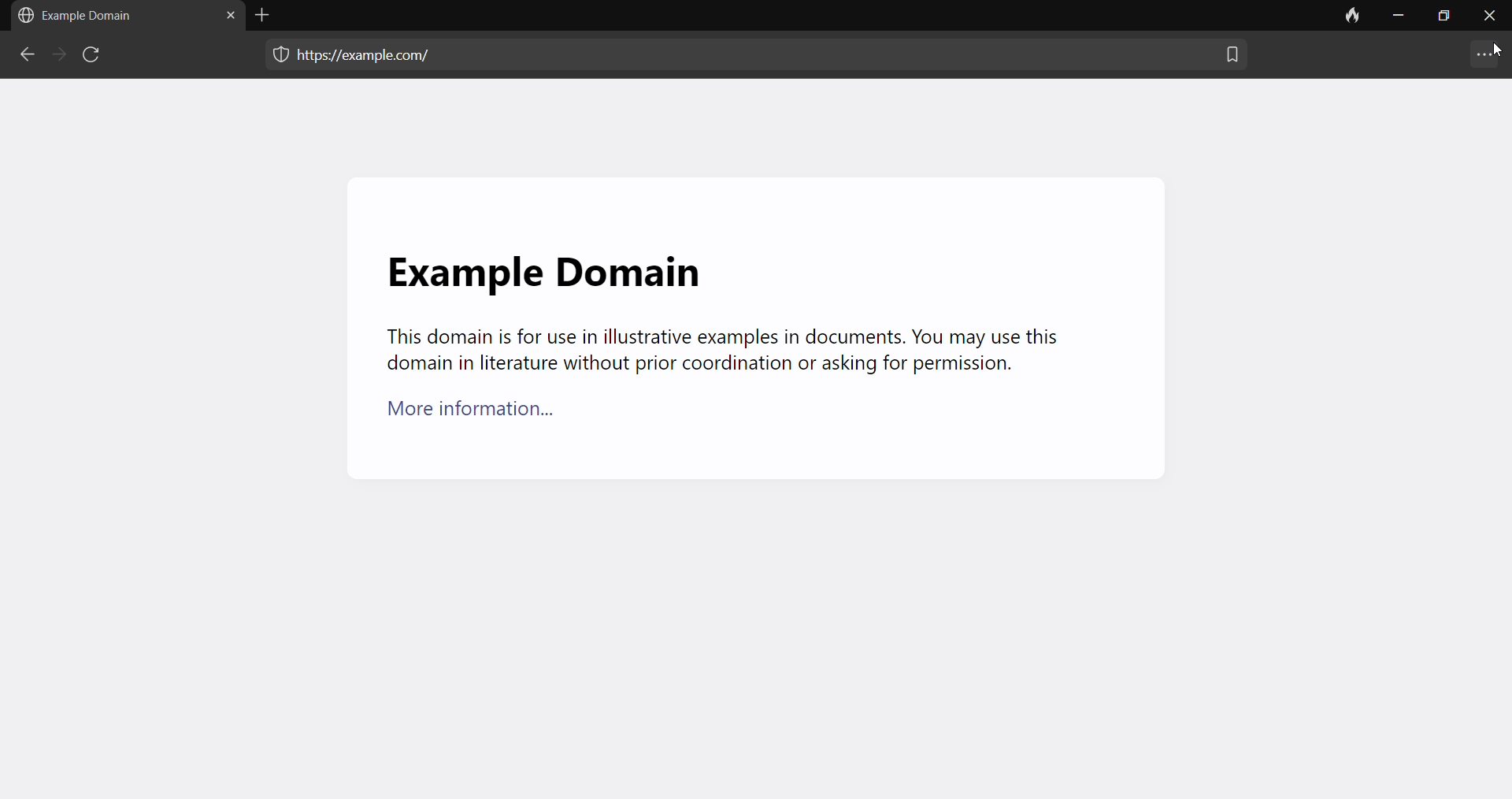  I want to click on bookmark this tab, so click(1232, 61).